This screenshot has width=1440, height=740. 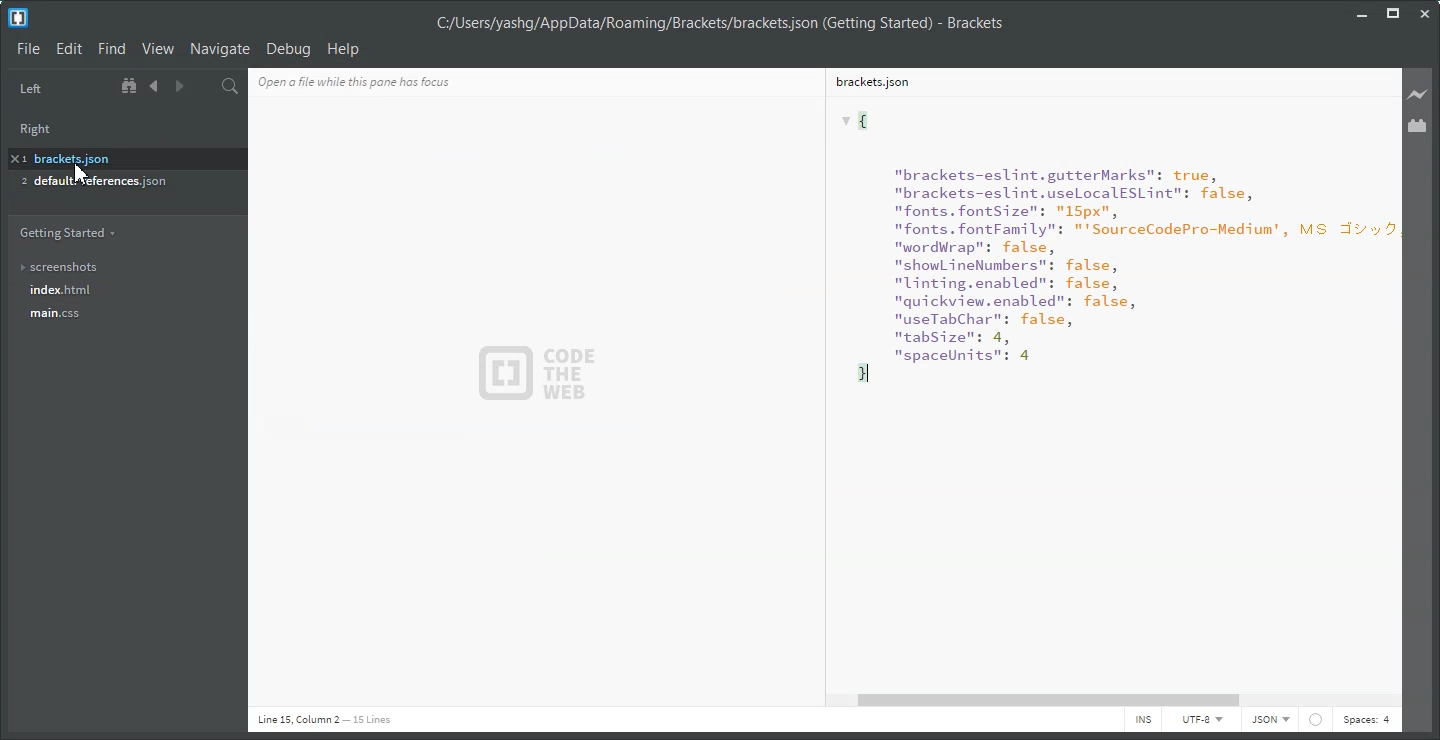 I want to click on HTML, so click(x=1269, y=721).